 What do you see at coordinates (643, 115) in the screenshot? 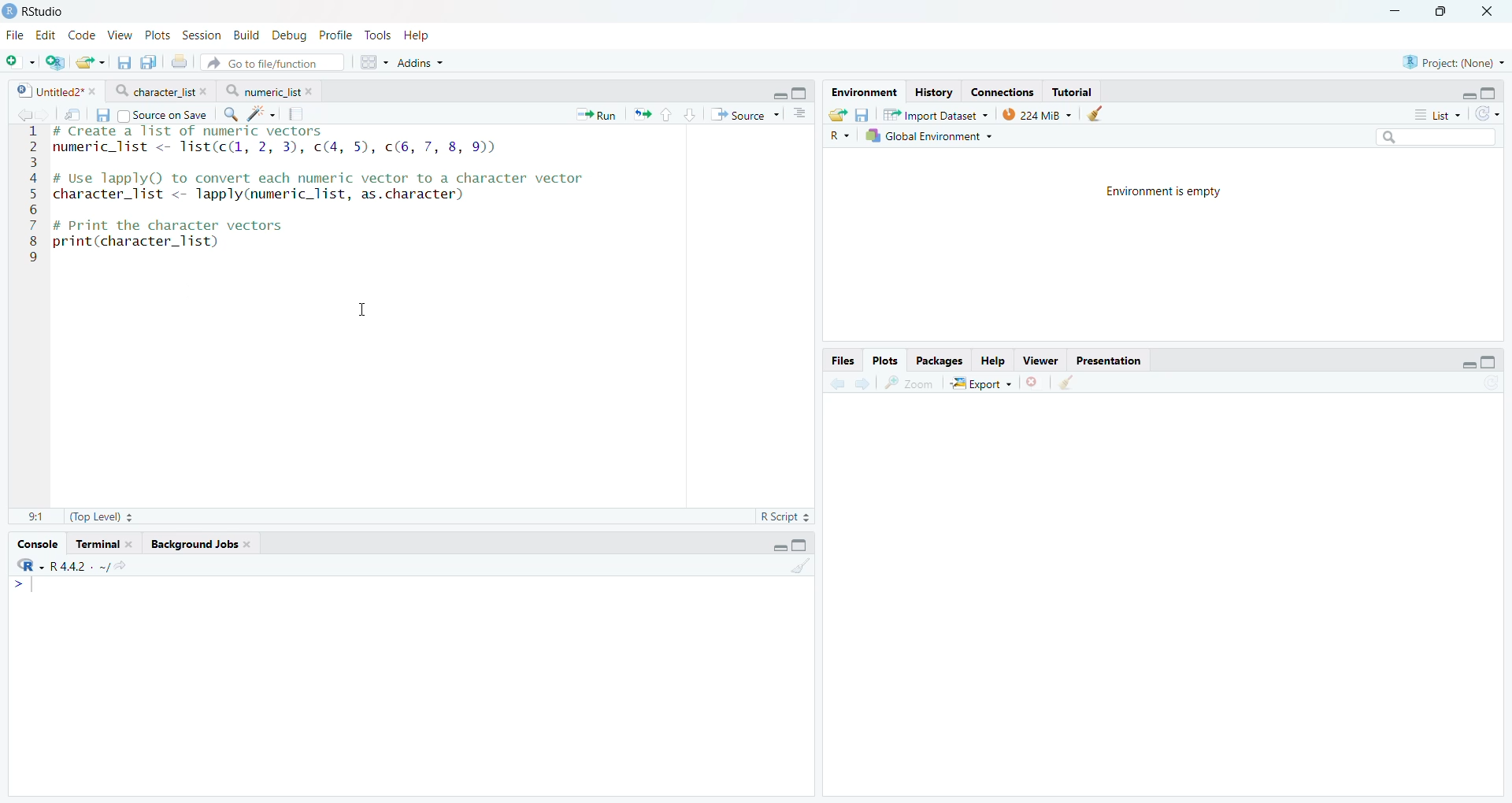
I see `Re-run previous code section` at bounding box center [643, 115].